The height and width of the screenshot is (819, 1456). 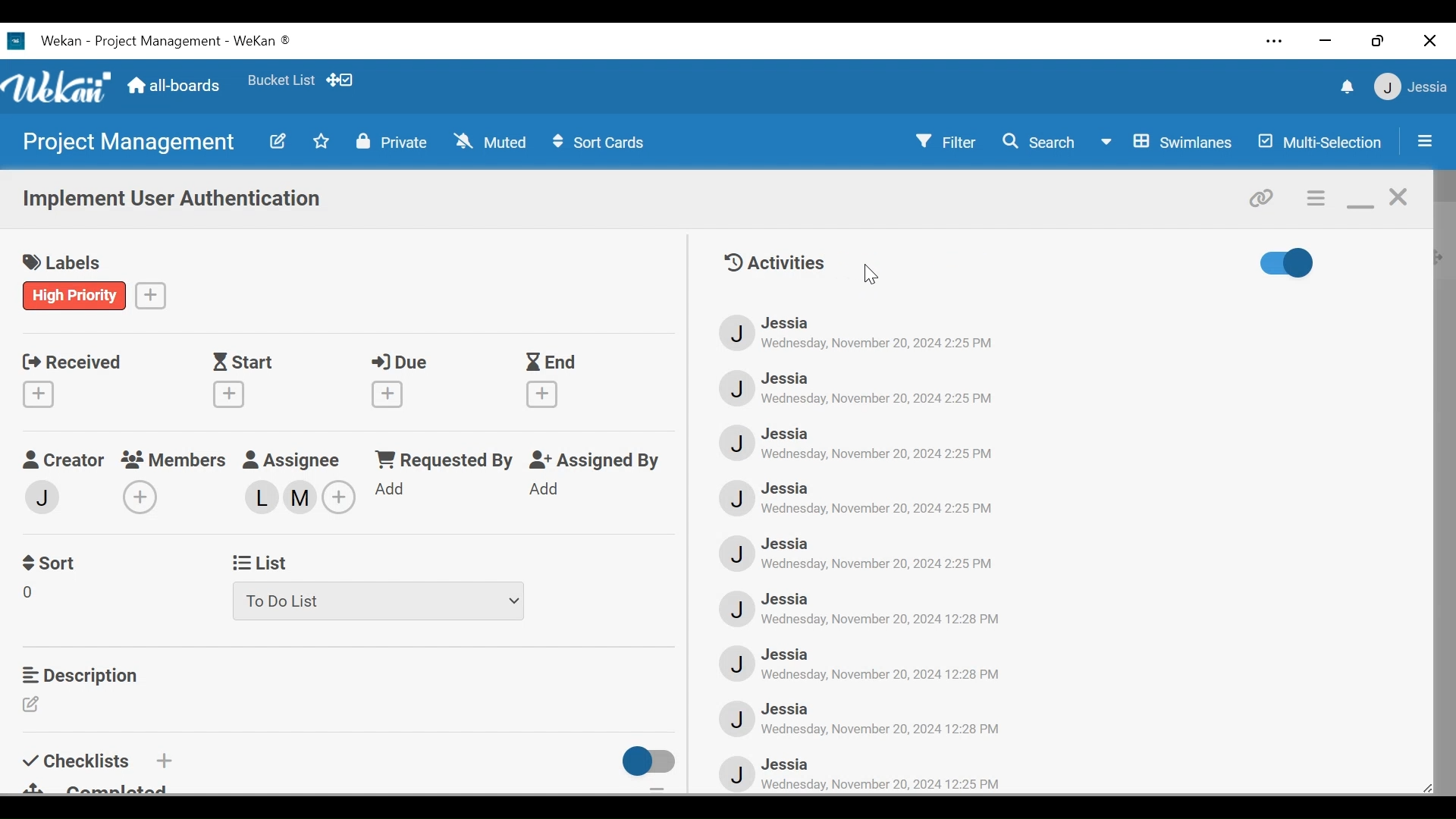 What do you see at coordinates (339, 497) in the screenshot?
I see `Add members` at bounding box center [339, 497].